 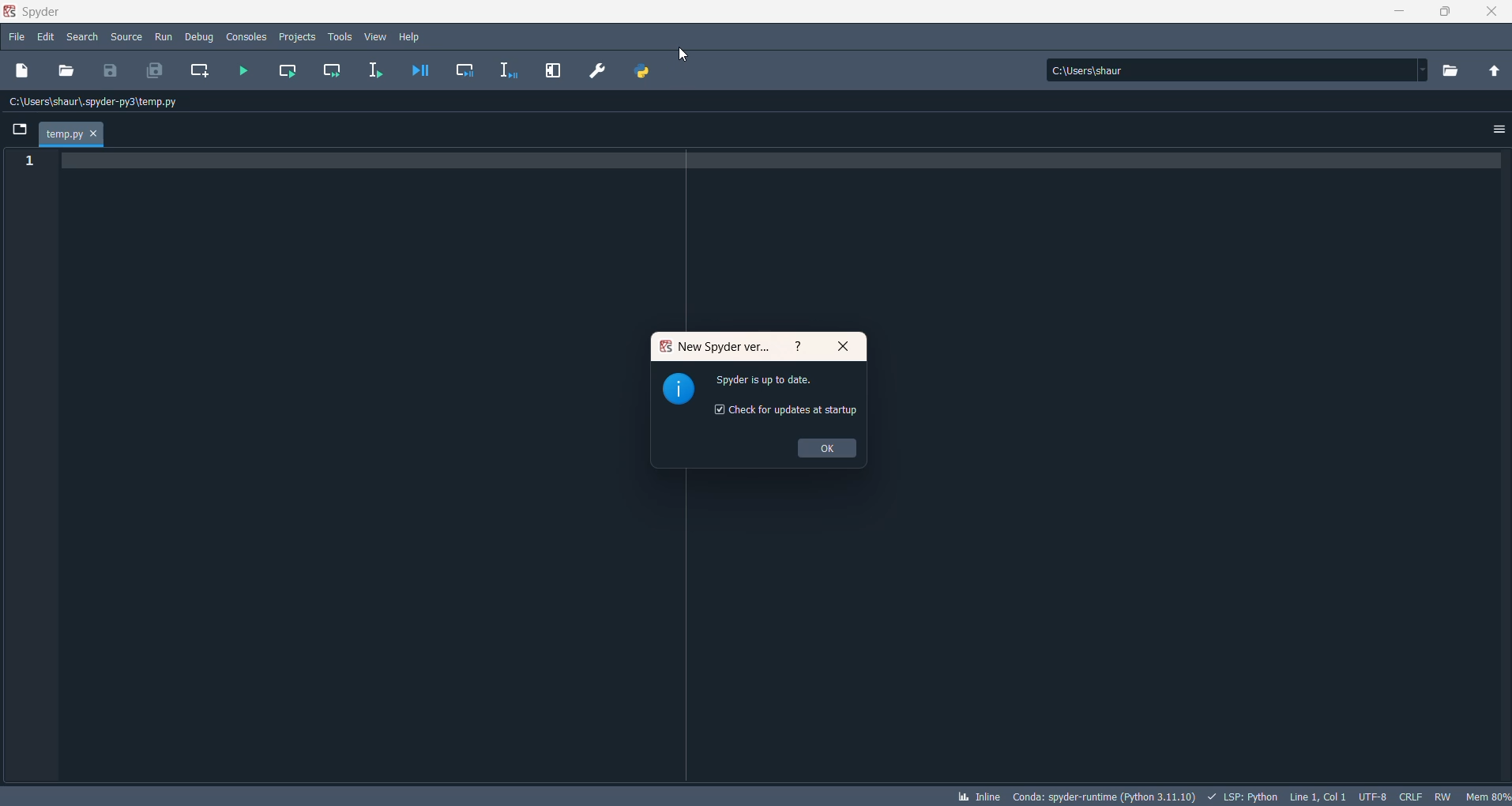 I want to click on file path, so click(x=100, y=103).